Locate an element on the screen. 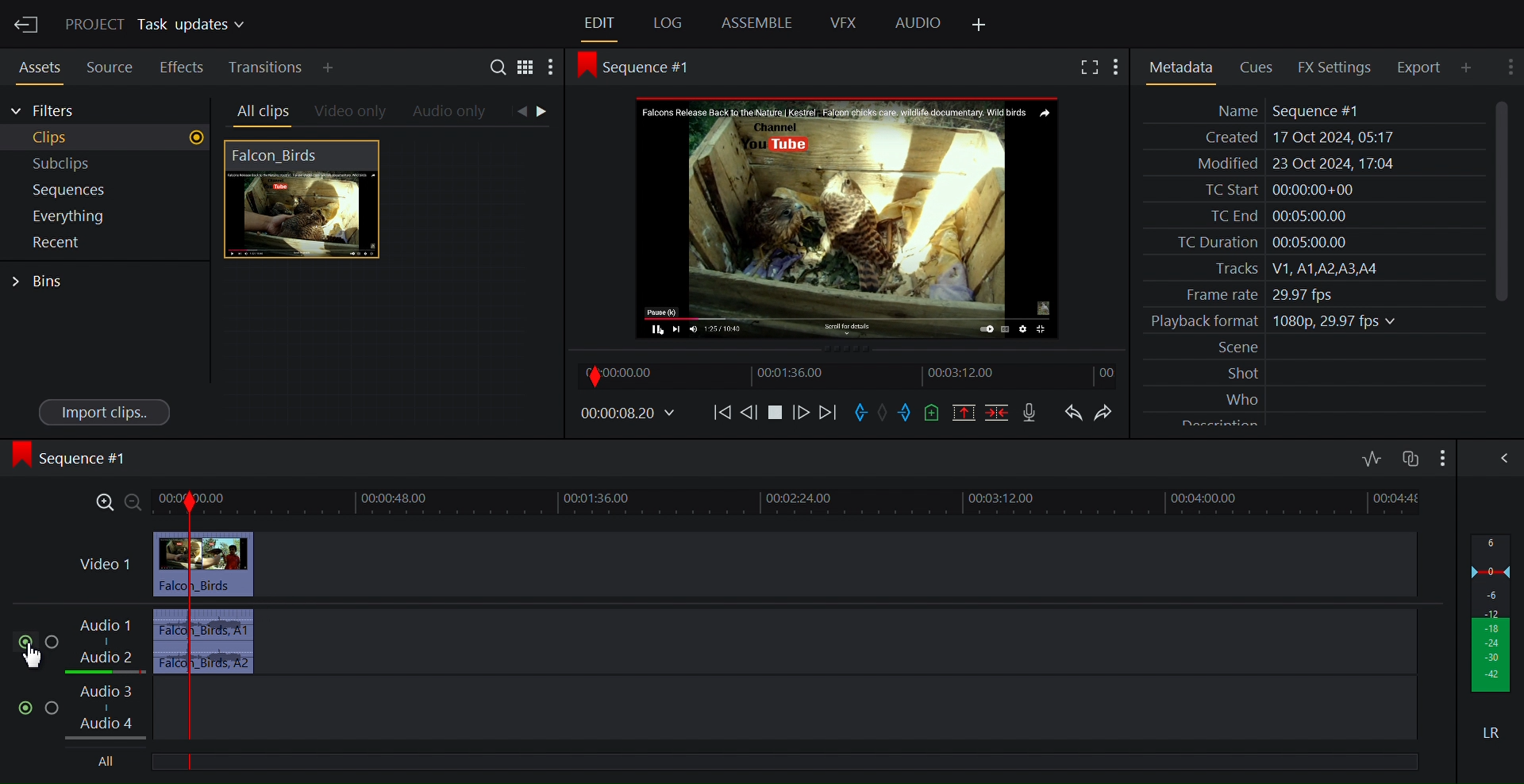  Fullscreen is located at coordinates (1091, 67).